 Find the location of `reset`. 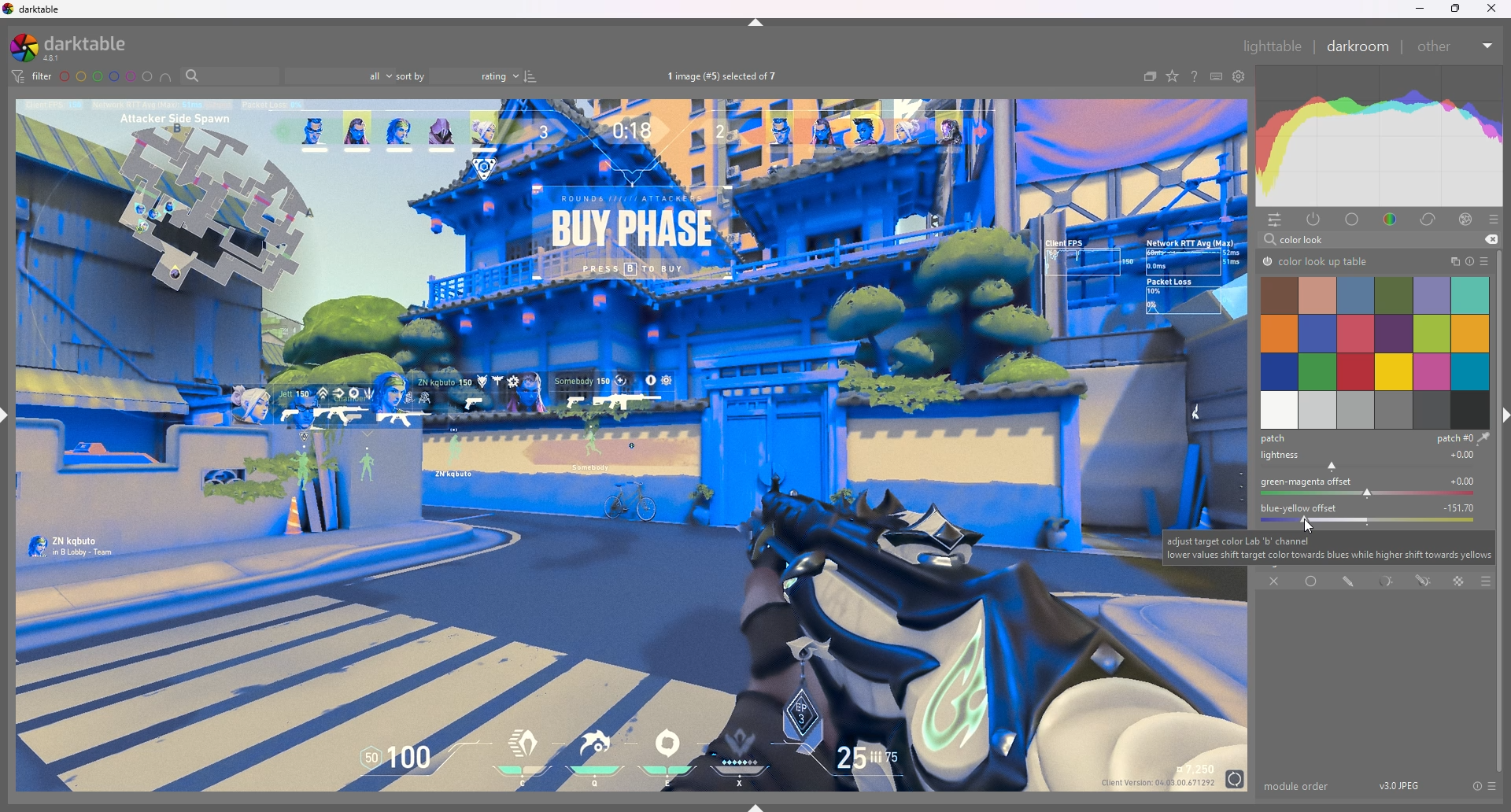

reset is located at coordinates (1476, 785).